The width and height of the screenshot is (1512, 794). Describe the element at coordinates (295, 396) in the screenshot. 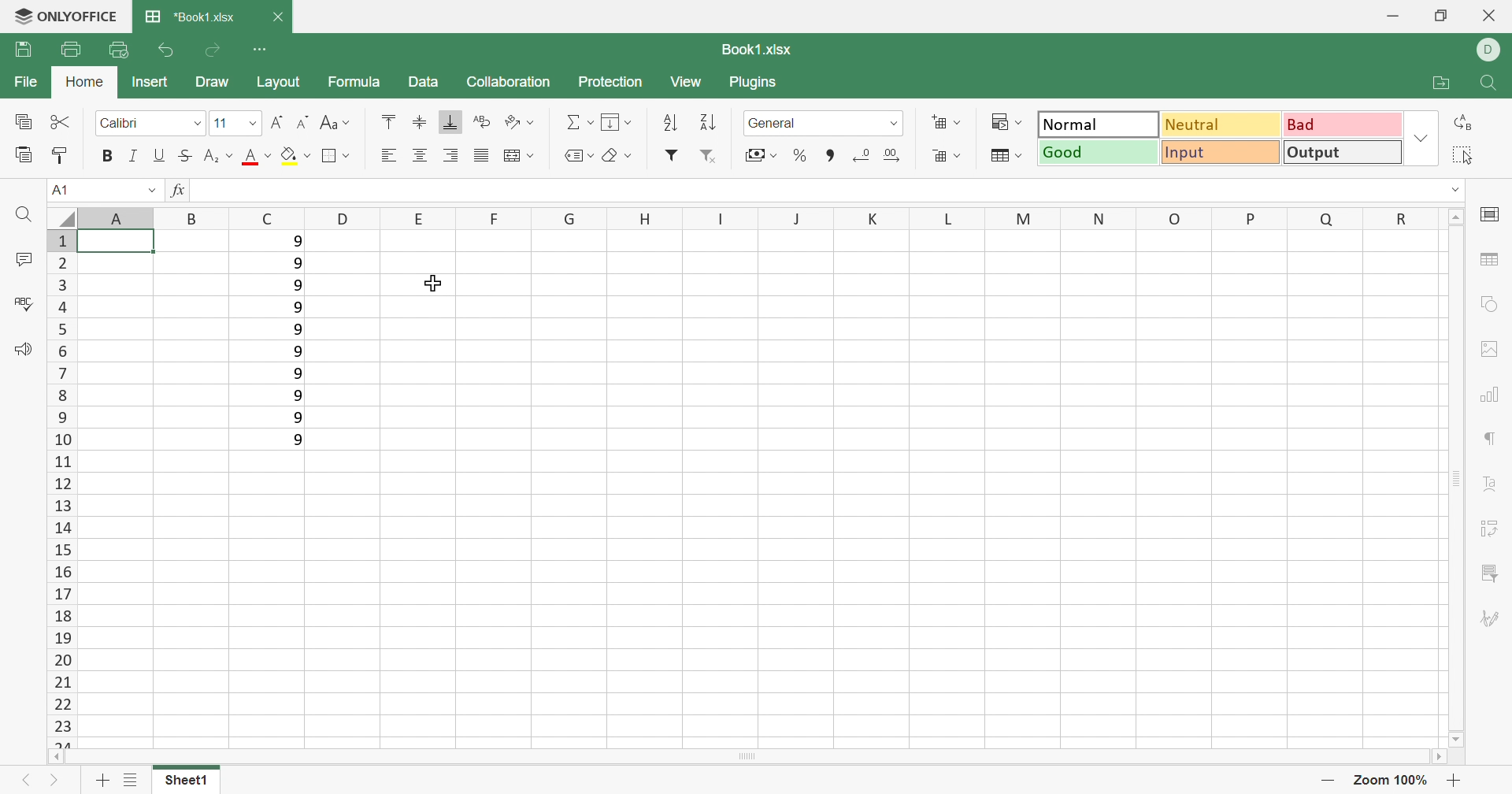

I see `9` at that location.